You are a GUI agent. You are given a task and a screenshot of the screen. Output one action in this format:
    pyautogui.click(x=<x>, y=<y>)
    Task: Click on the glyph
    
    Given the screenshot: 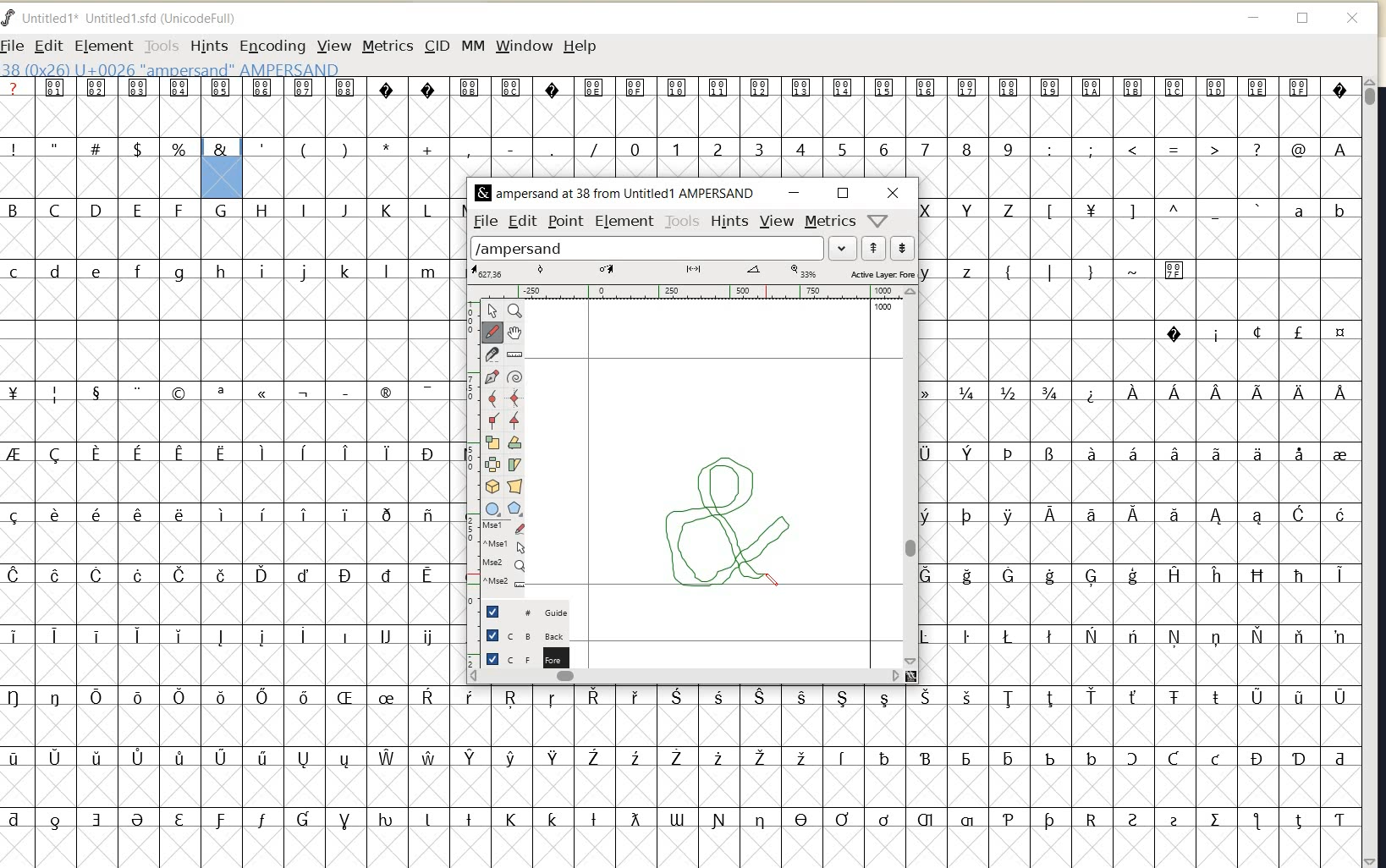 What is the action you would take?
    pyautogui.click(x=223, y=106)
    